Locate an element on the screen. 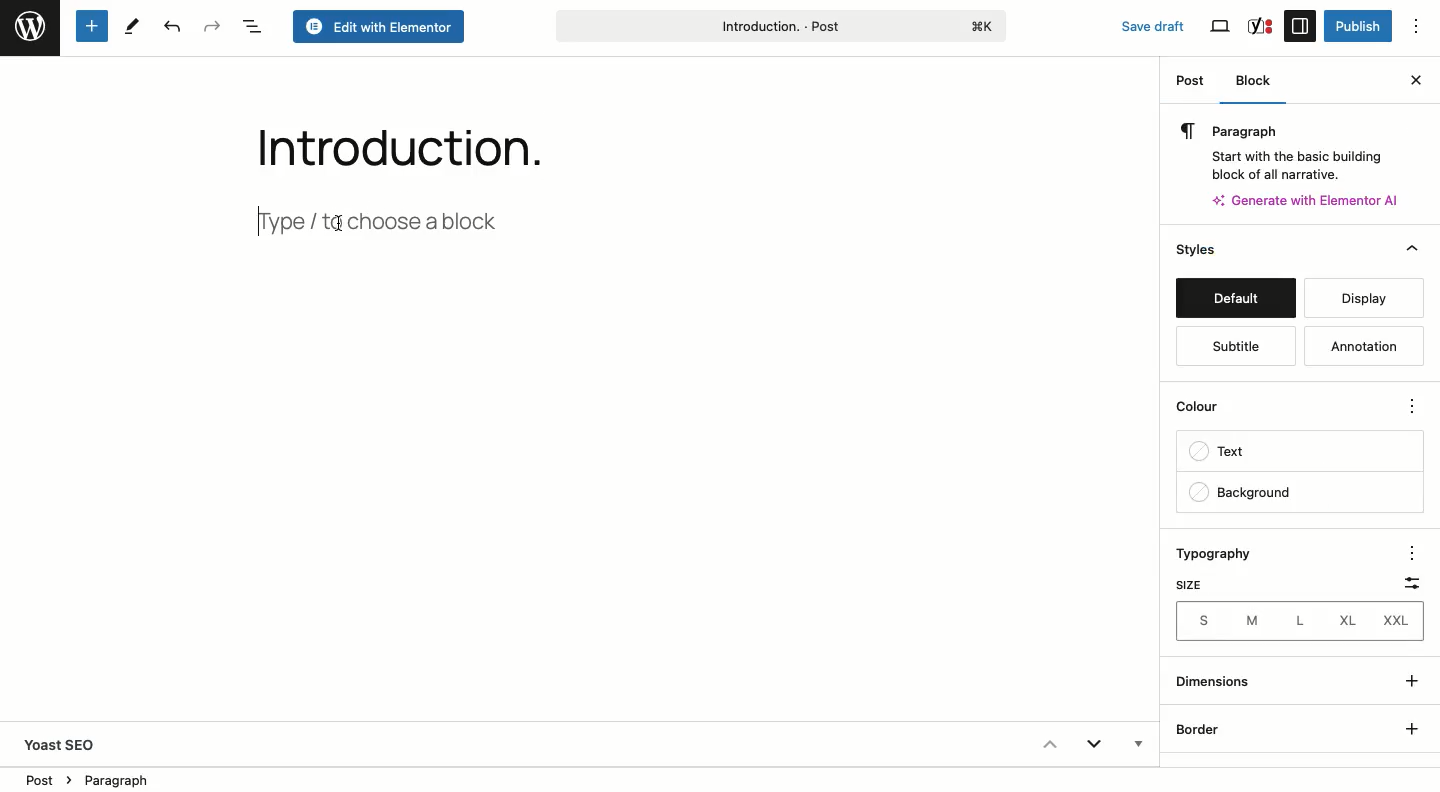 The width and height of the screenshot is (1440, 792). Size is located at coordinates (1187, 585).